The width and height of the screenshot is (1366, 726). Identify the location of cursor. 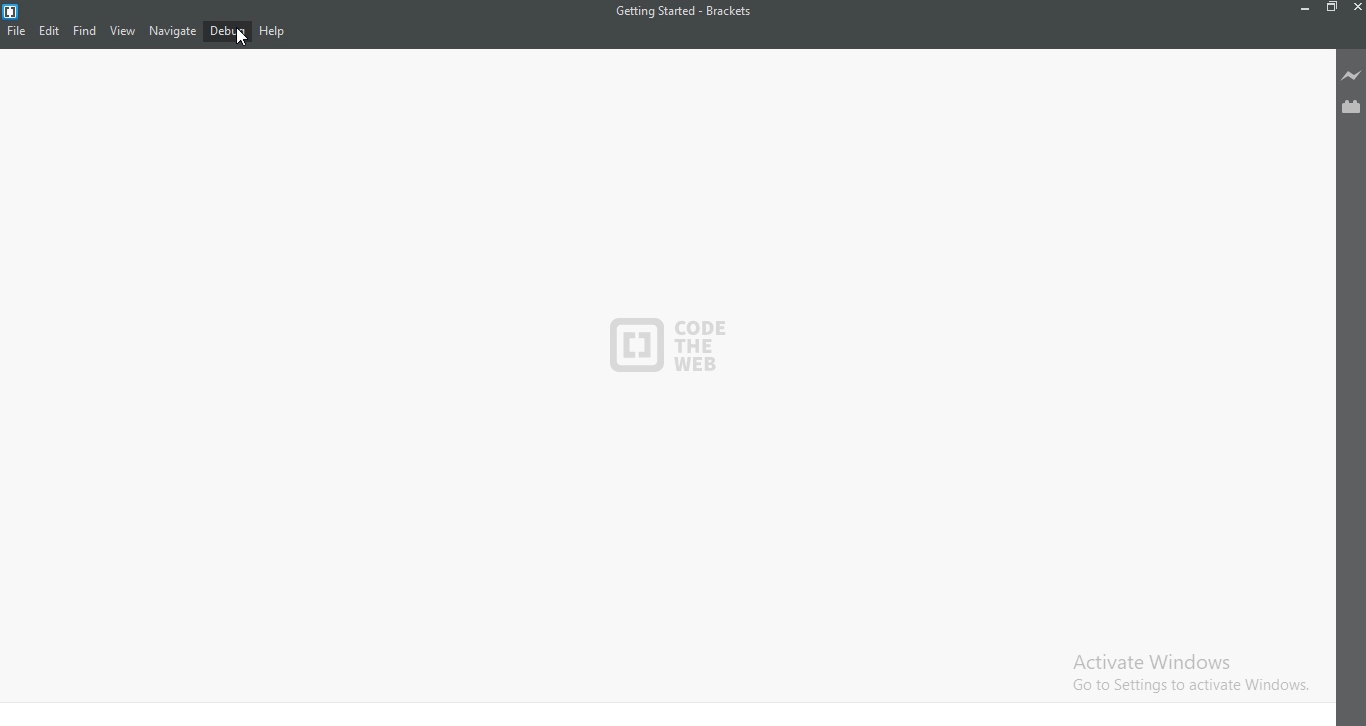
(242, 41).